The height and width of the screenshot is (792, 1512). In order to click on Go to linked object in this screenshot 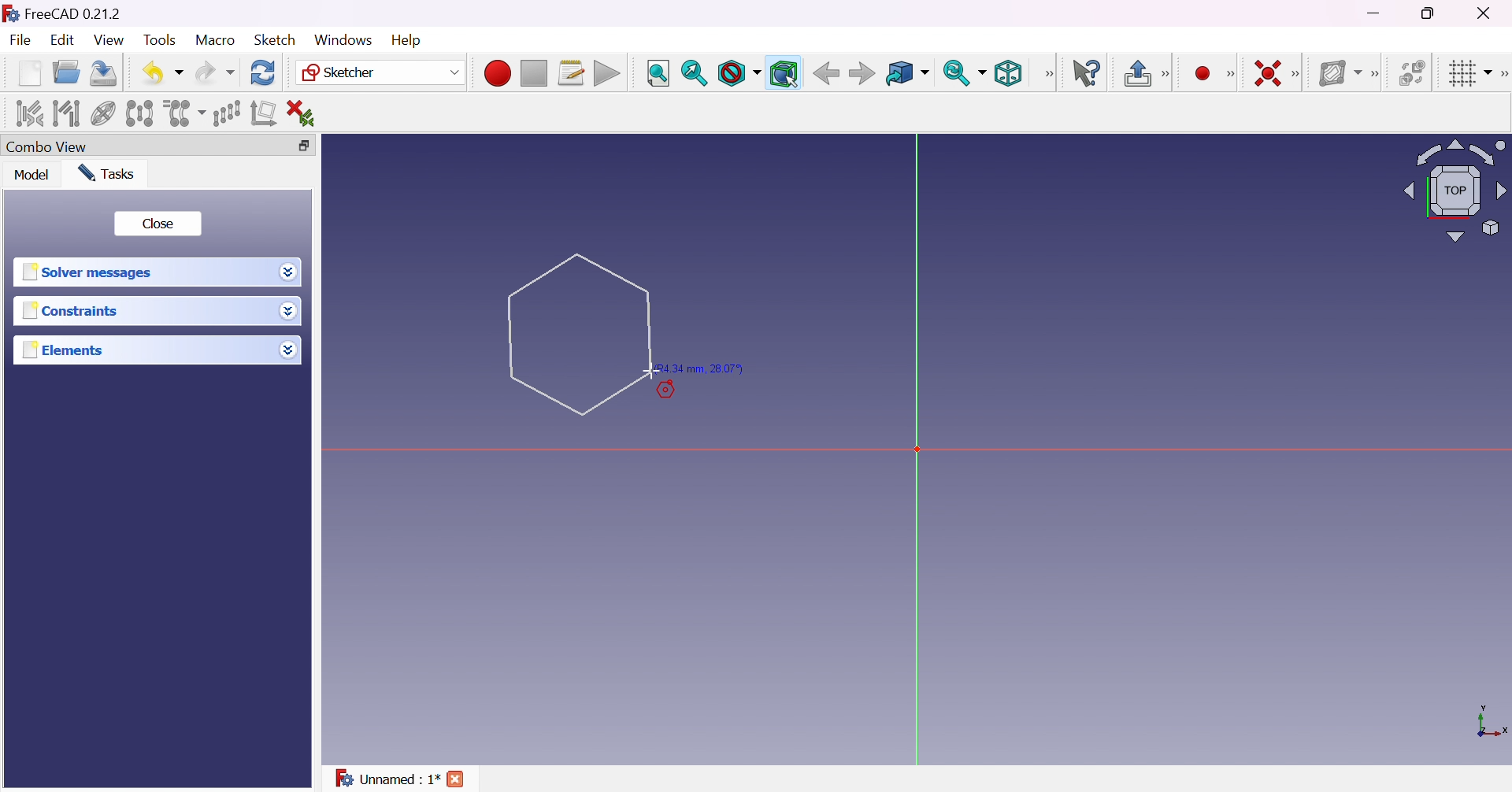, I will do `click(907, 75)`.